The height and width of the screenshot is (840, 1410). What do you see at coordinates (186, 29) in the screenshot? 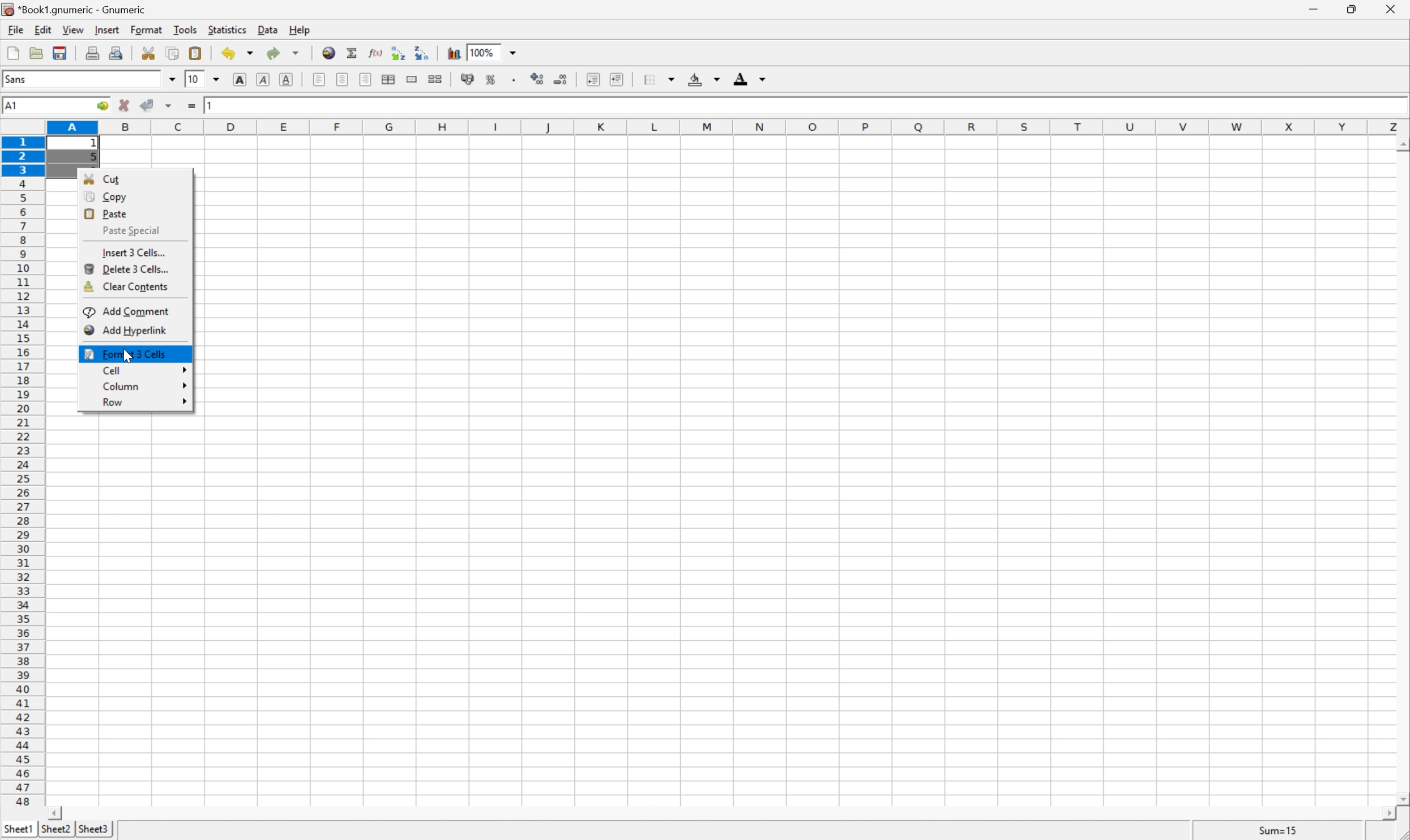
I see `tools` at bounding box center [186, 29].